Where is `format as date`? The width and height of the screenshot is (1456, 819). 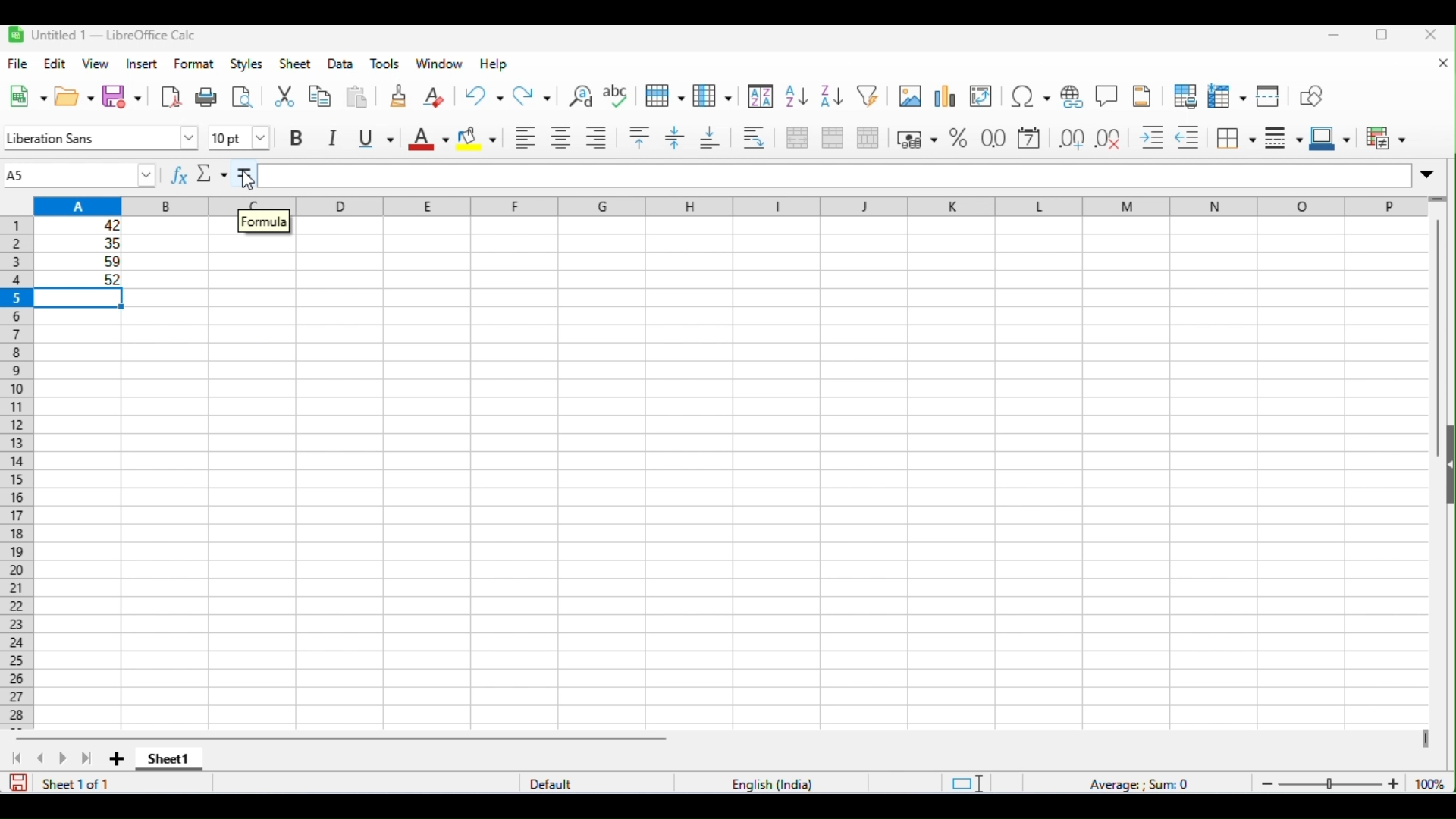 format as date is located at coordinates (1029, 138).